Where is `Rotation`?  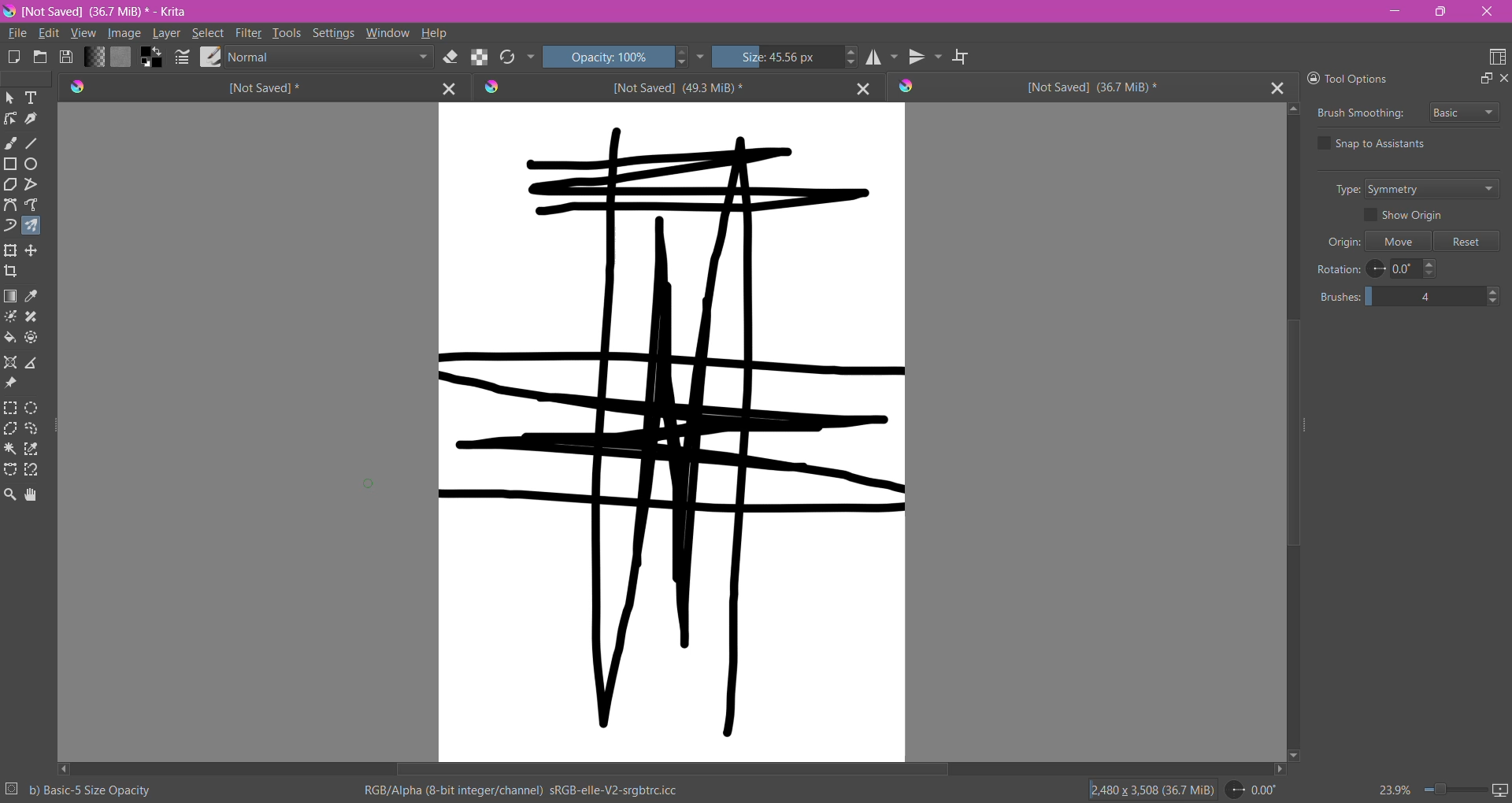
Rotation is located at coordinates (1338, 269).